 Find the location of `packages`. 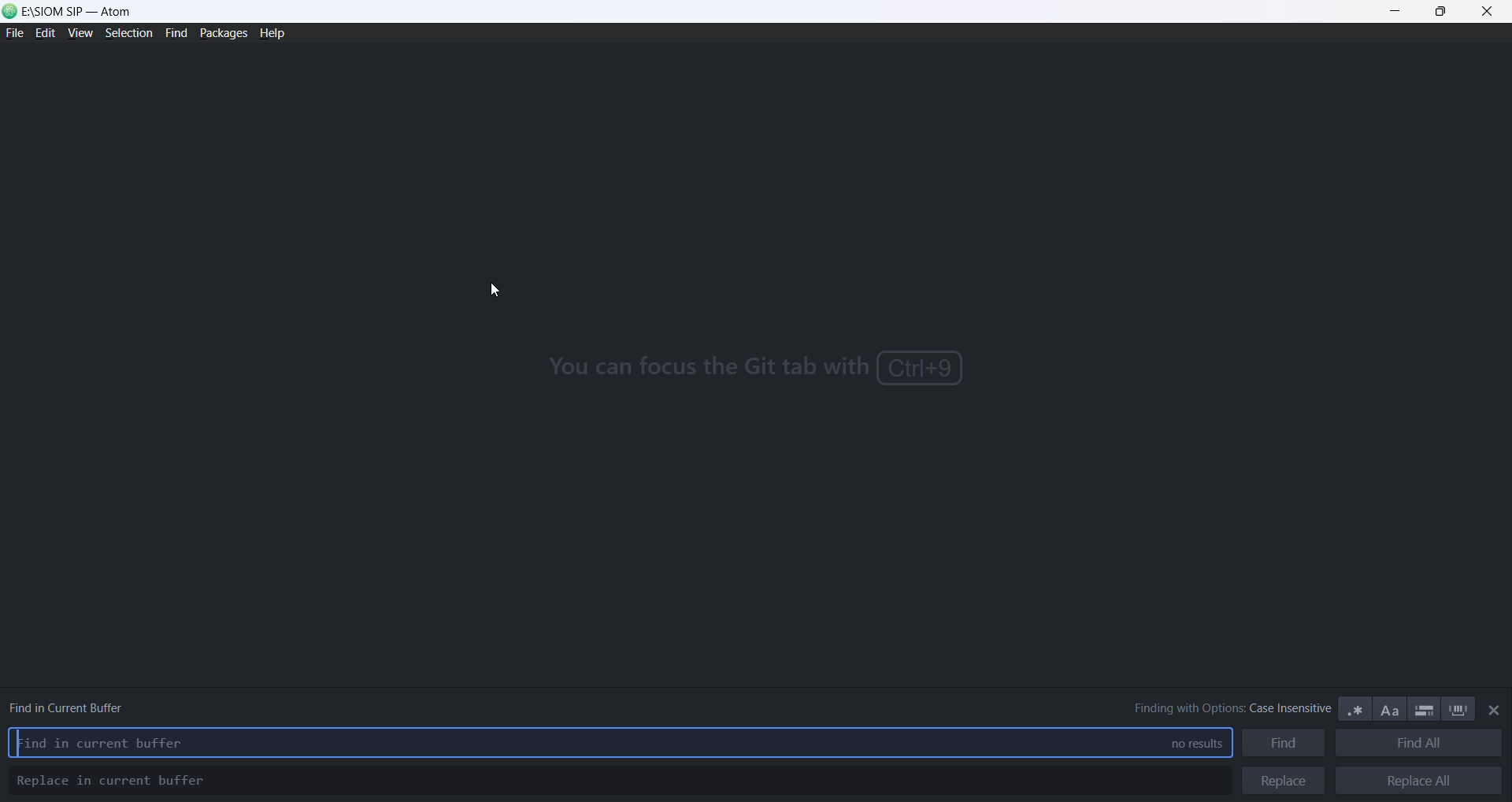

packages is located at coordinates (223, 32).